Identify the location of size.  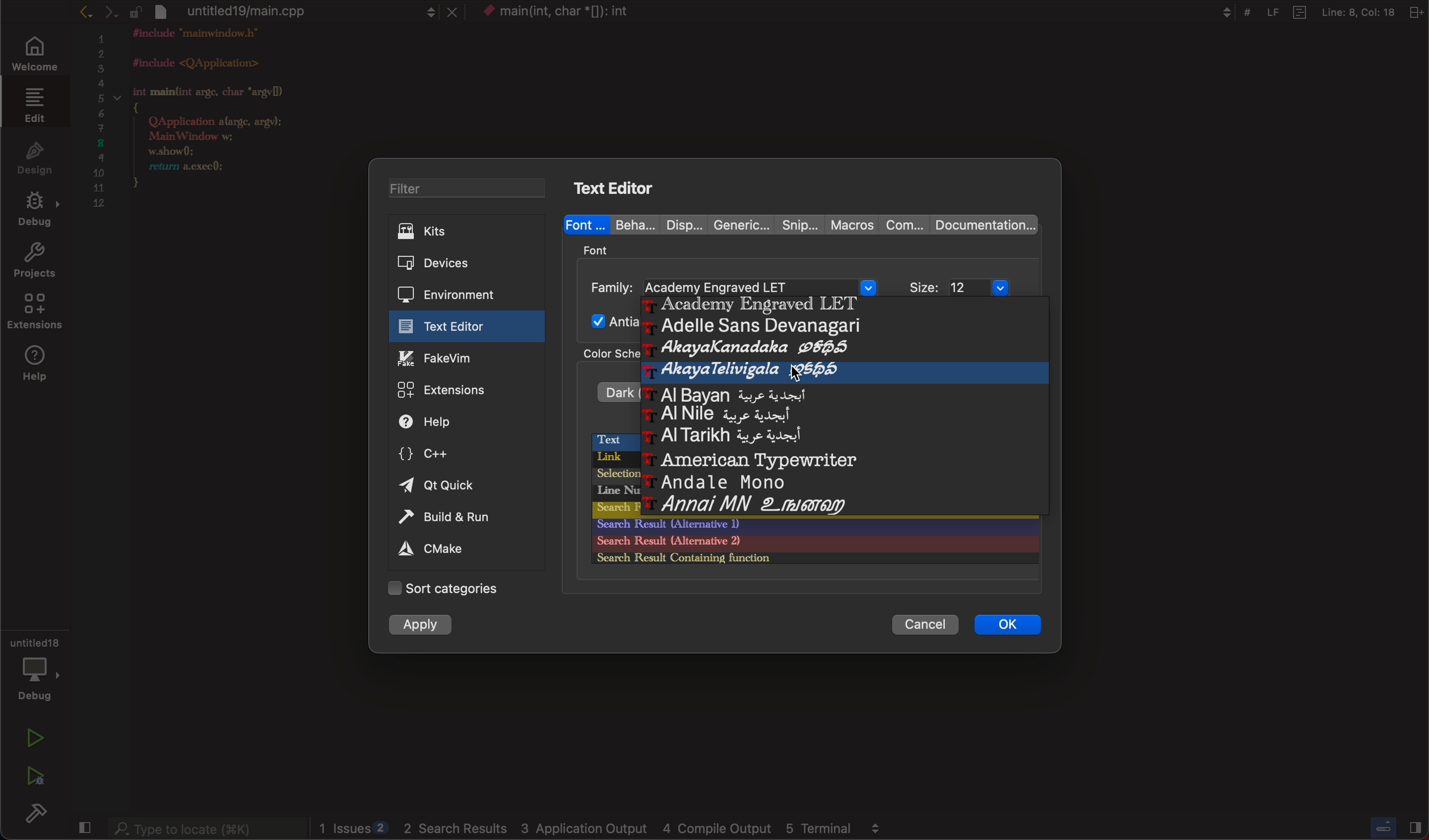
(968, 287).